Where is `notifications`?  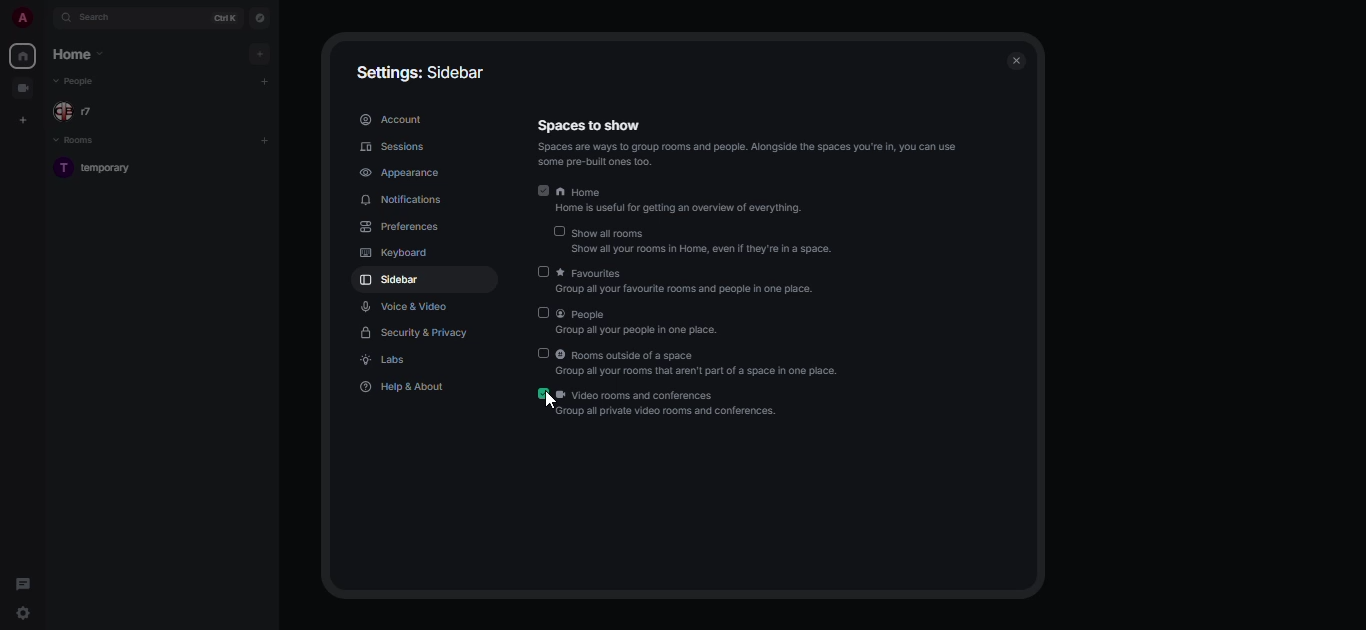
notifications is located at coordinates (400, 199).